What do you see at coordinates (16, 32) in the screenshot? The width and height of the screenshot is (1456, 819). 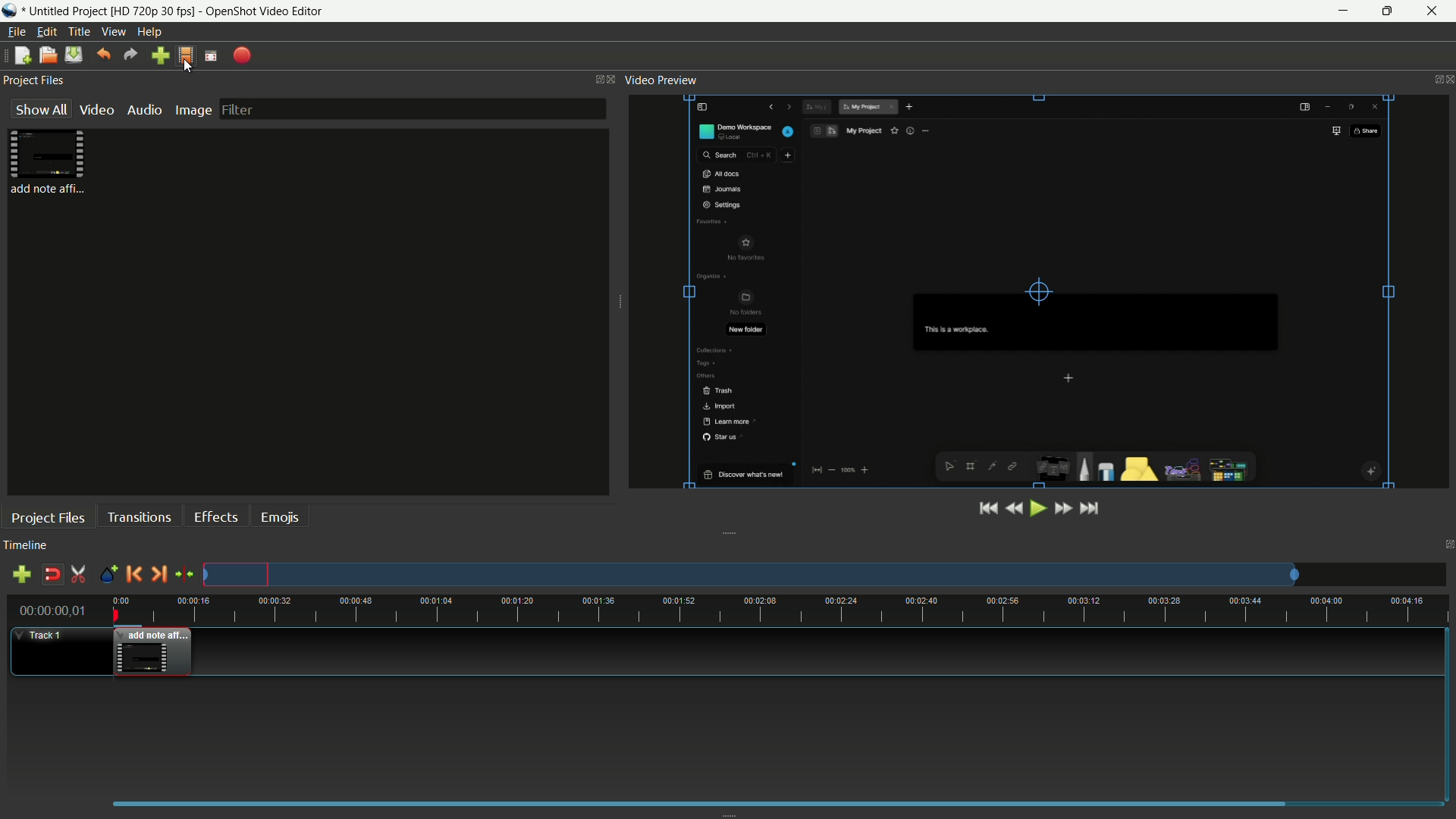 I see `file menu` at bounding box center [16, 32].